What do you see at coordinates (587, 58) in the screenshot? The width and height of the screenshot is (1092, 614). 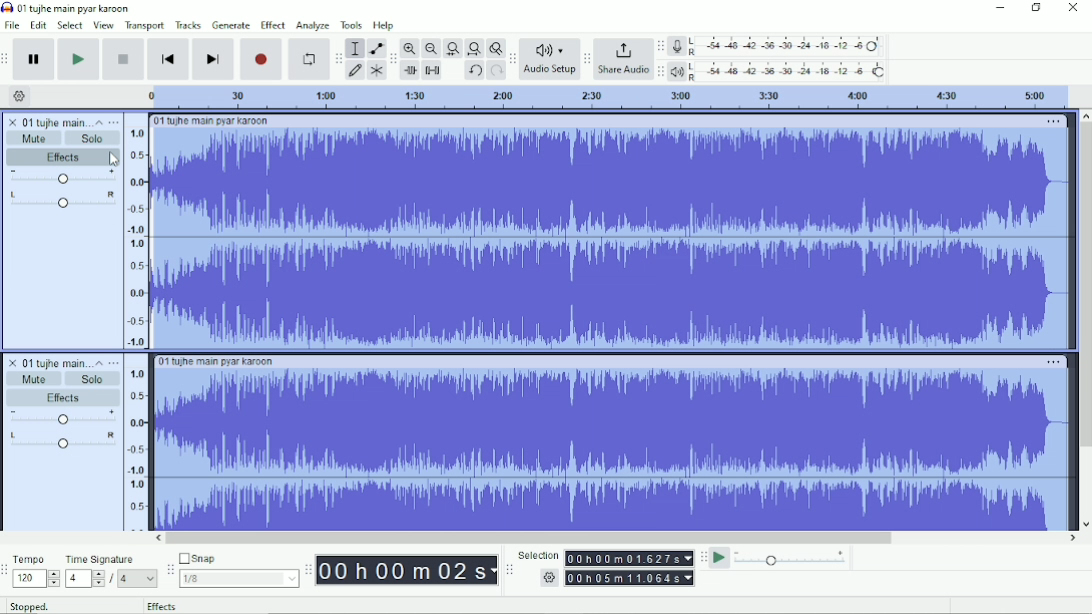 I see `Audacity share audio toolbar` at bounding box center [587, 58].